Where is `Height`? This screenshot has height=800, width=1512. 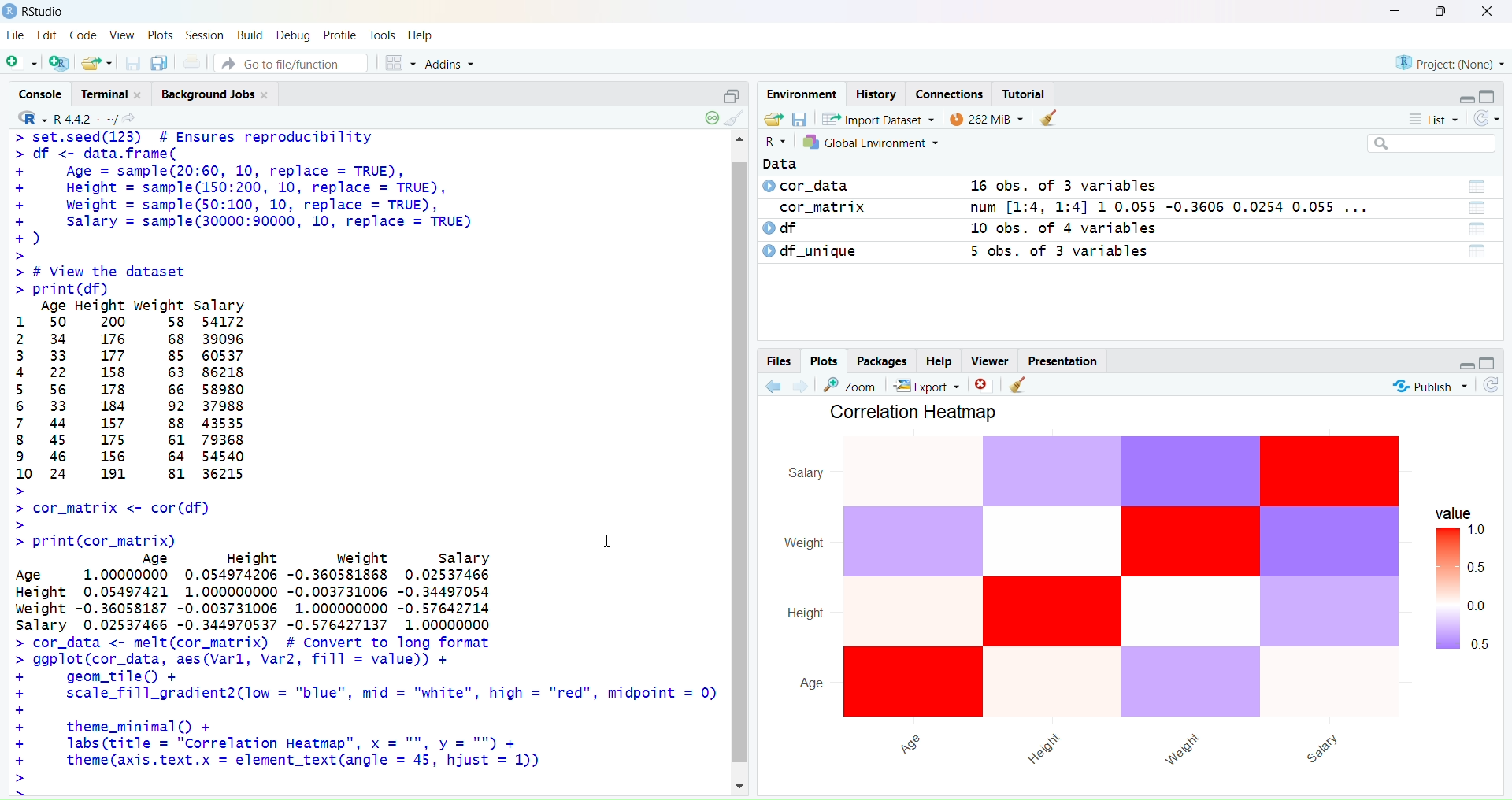 Height is located at coordinates (805, 613).